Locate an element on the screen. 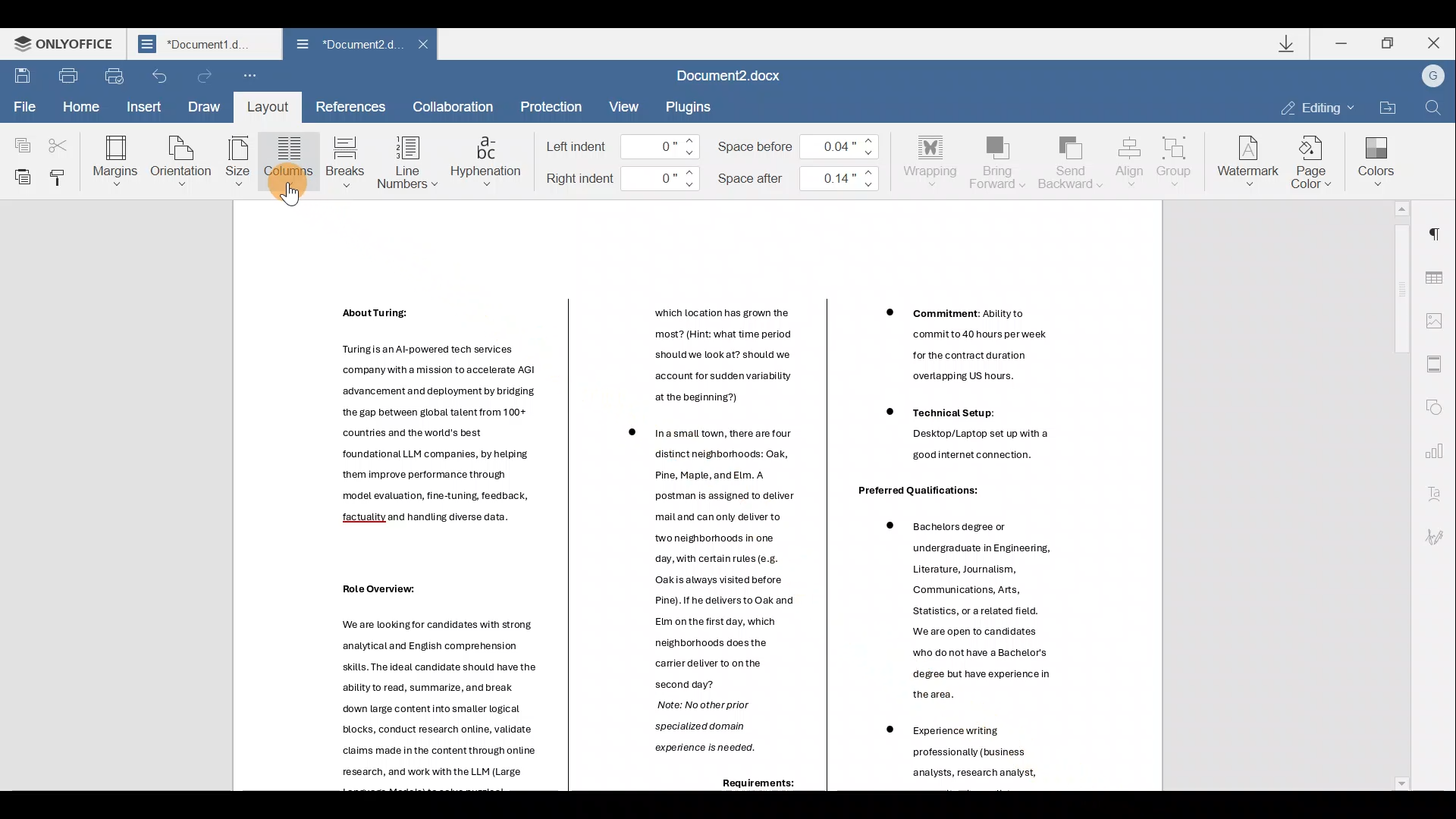 The height and width of the screenshot is (819, 1456). Redo is located at coordinates (206, 77).